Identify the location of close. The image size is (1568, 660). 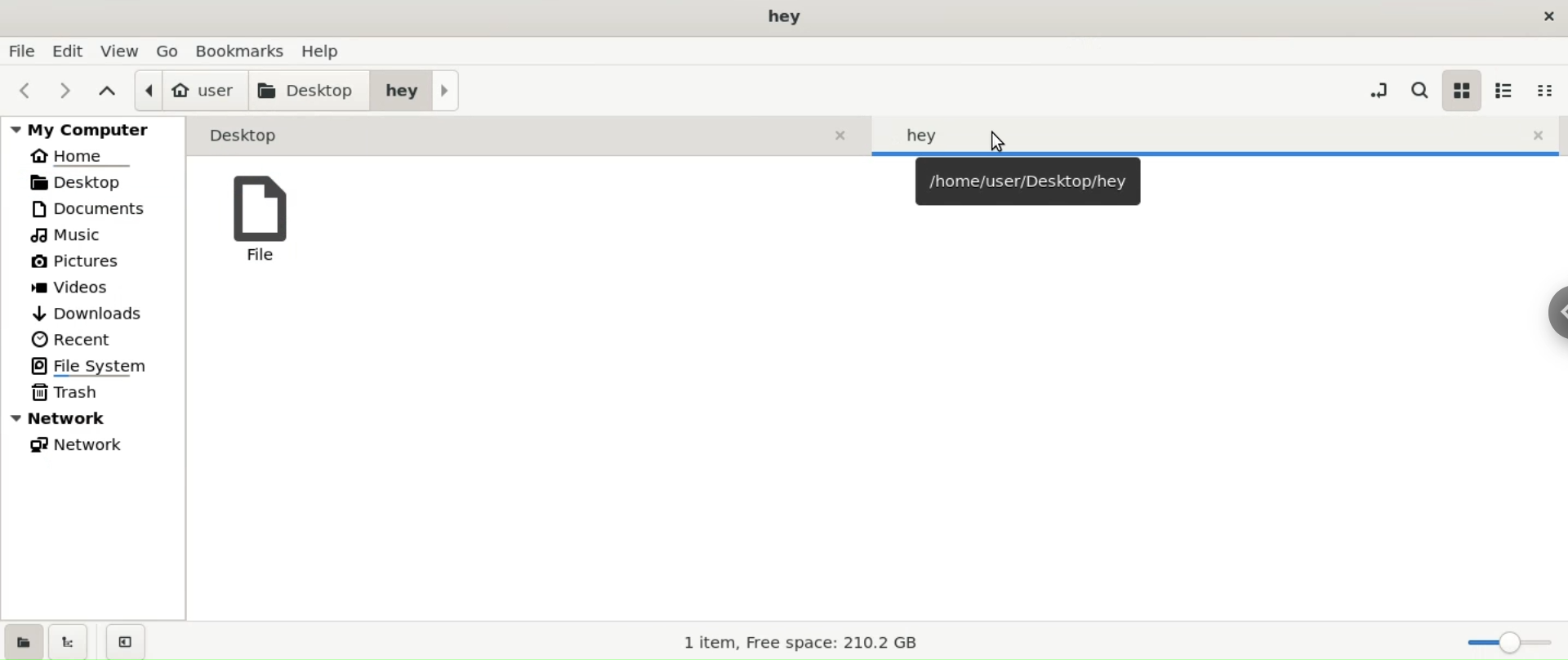
(1540, 14).